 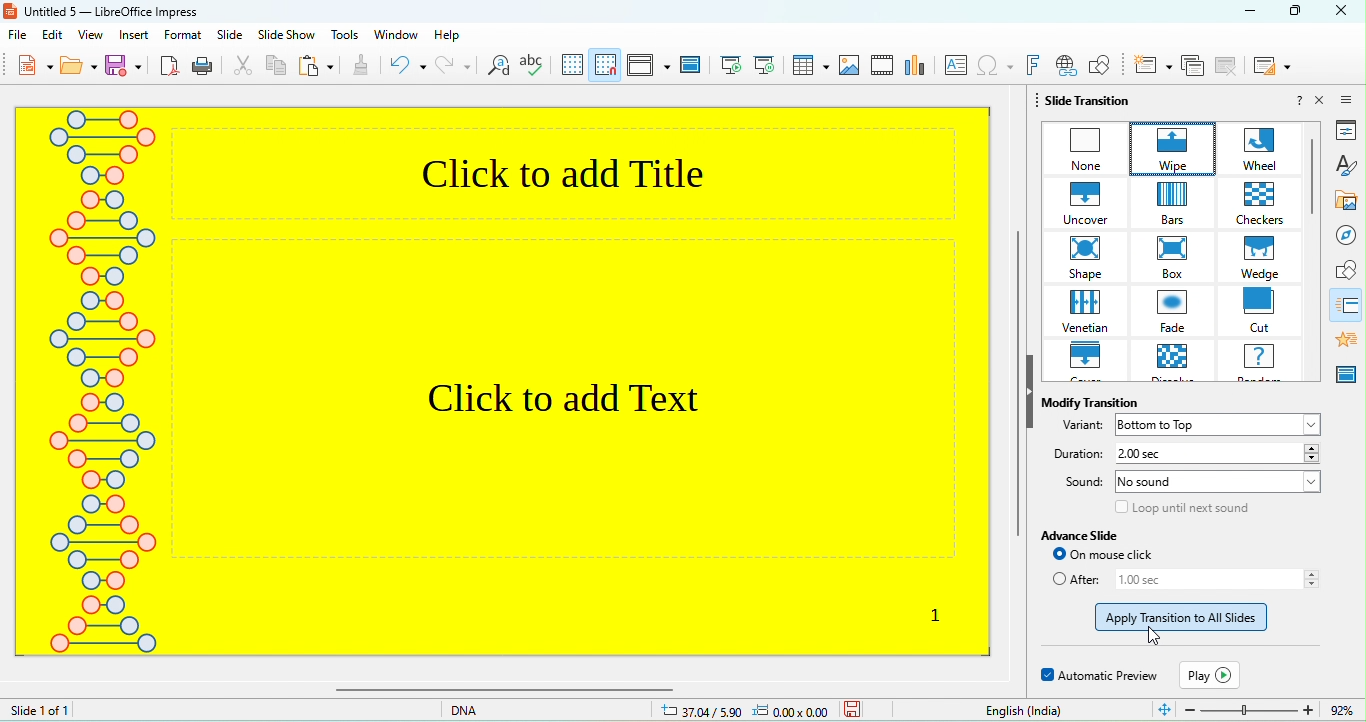 What do you see at coordinates (765, 65) in the screenshot?
I see `current slide` at bounding box center [765, 65].